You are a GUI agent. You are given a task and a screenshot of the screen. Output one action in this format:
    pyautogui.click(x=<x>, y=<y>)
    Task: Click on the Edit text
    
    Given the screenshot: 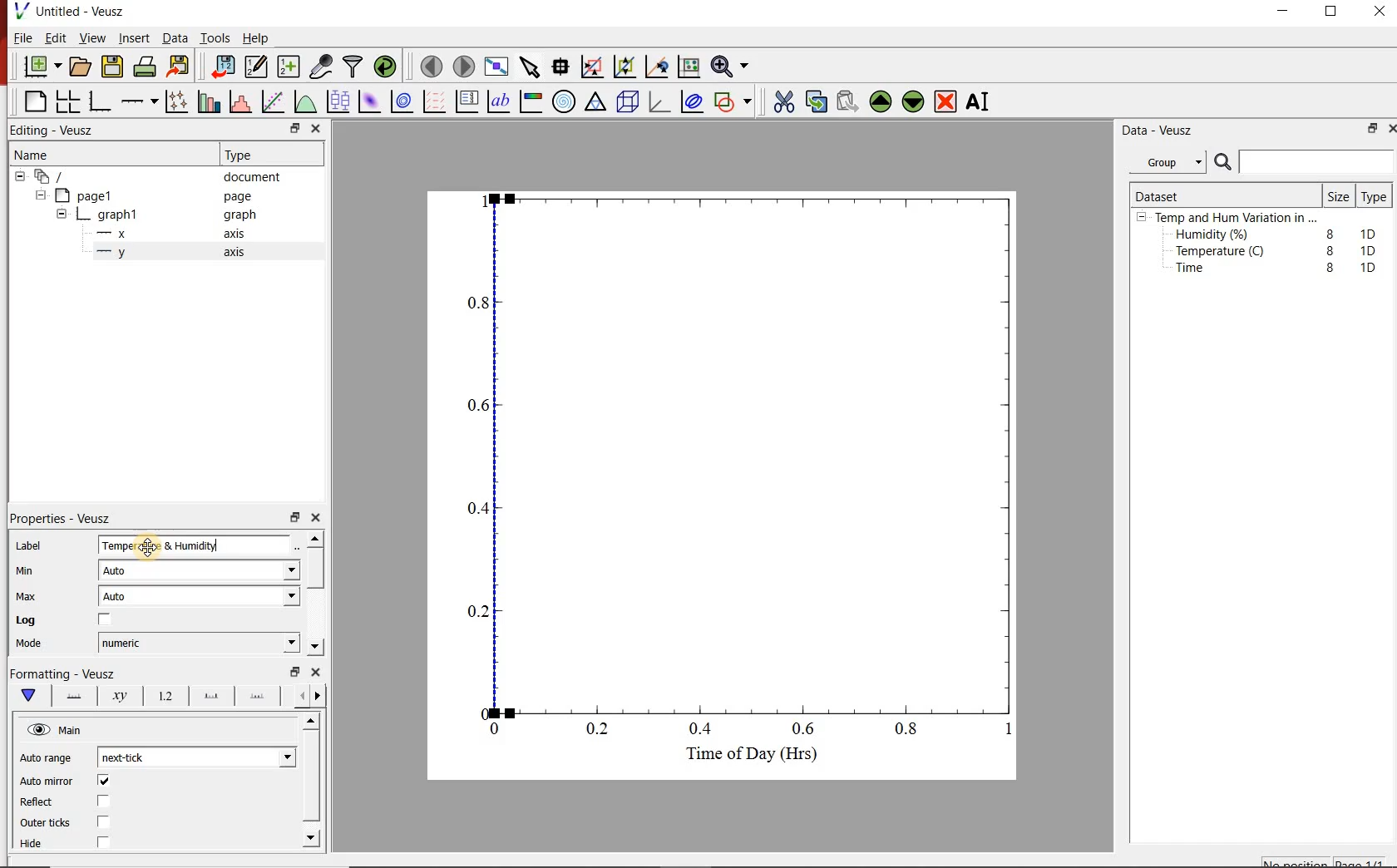 What is the action you would take?
    pyautogui.click(x=300, y=545)
    